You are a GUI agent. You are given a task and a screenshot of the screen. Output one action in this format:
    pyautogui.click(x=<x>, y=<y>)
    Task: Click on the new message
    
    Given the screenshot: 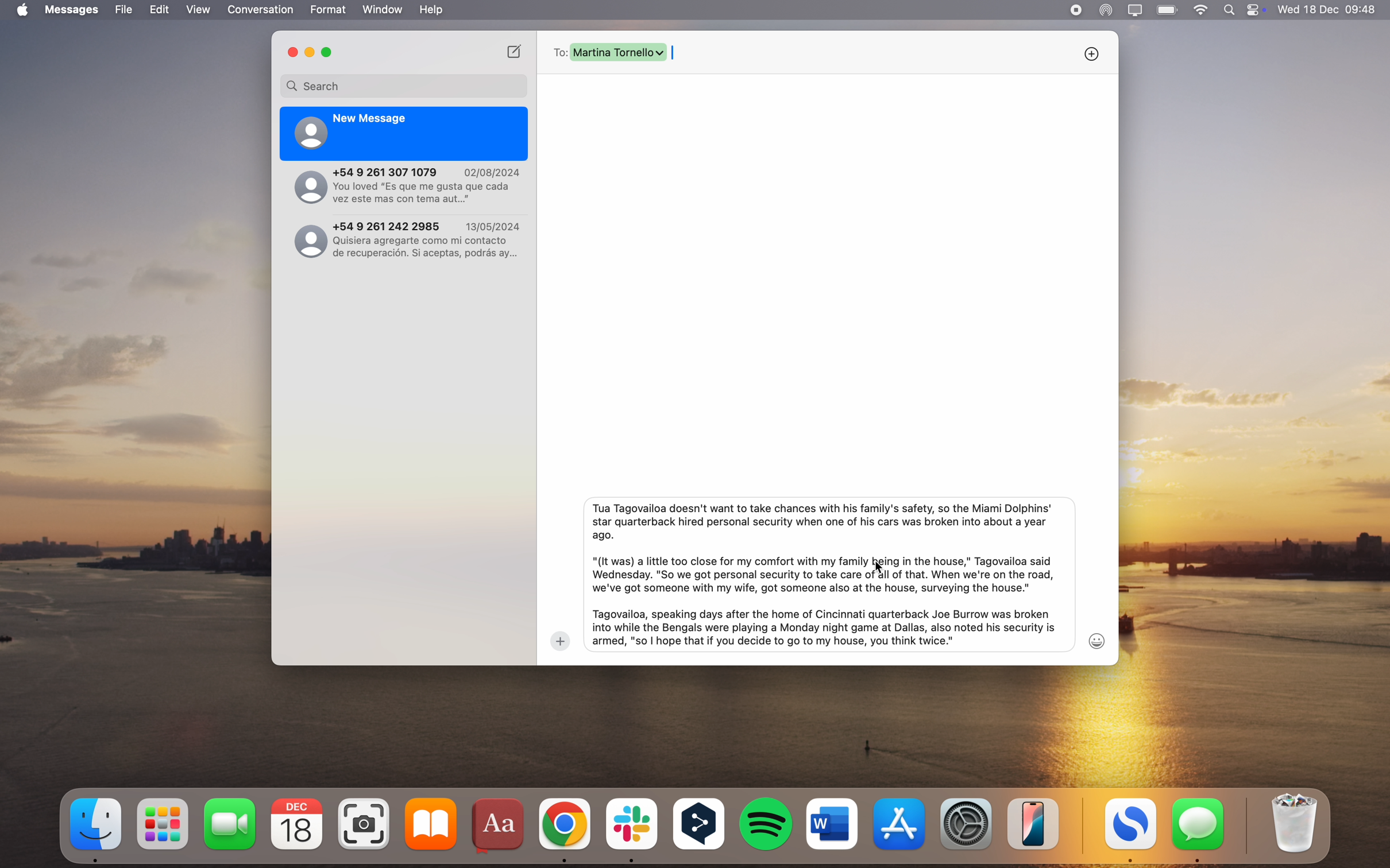 What is the action you would take?
    pyautogui.click(x=515, y=51)
    